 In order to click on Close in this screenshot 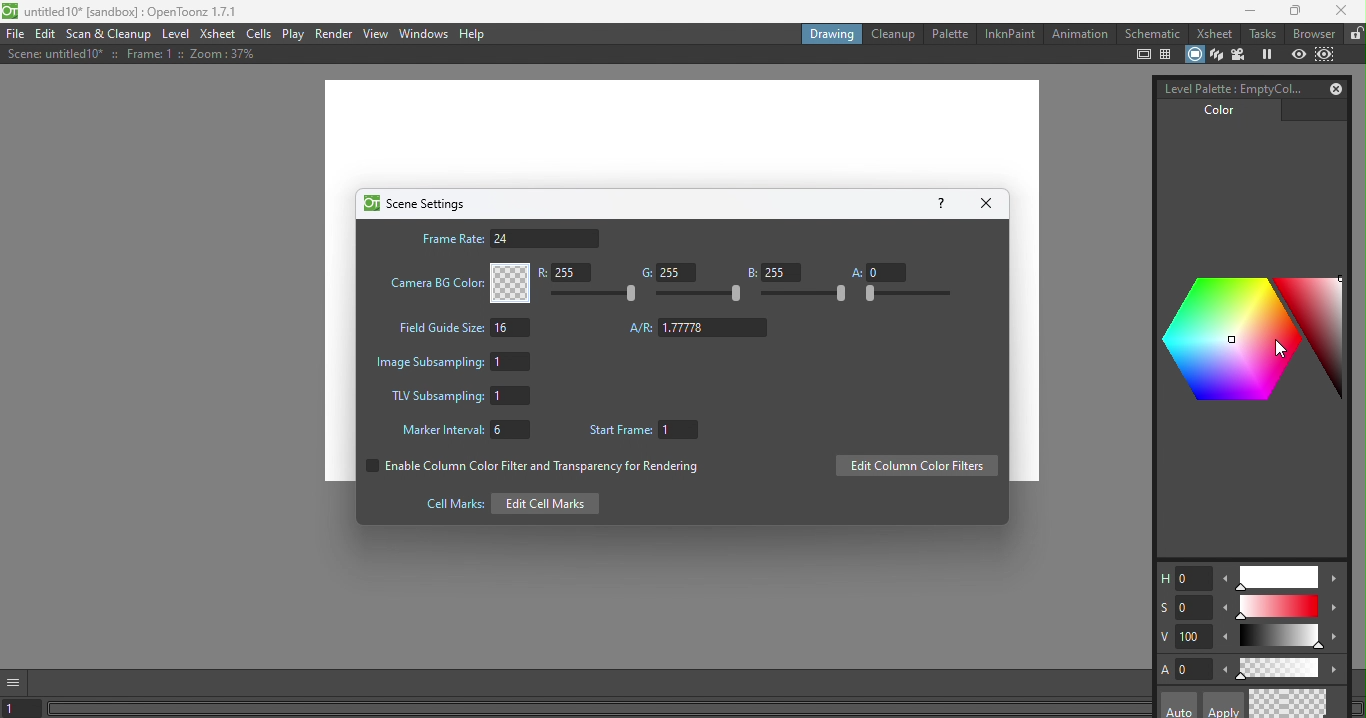, I will do `click(1332, 88)`.